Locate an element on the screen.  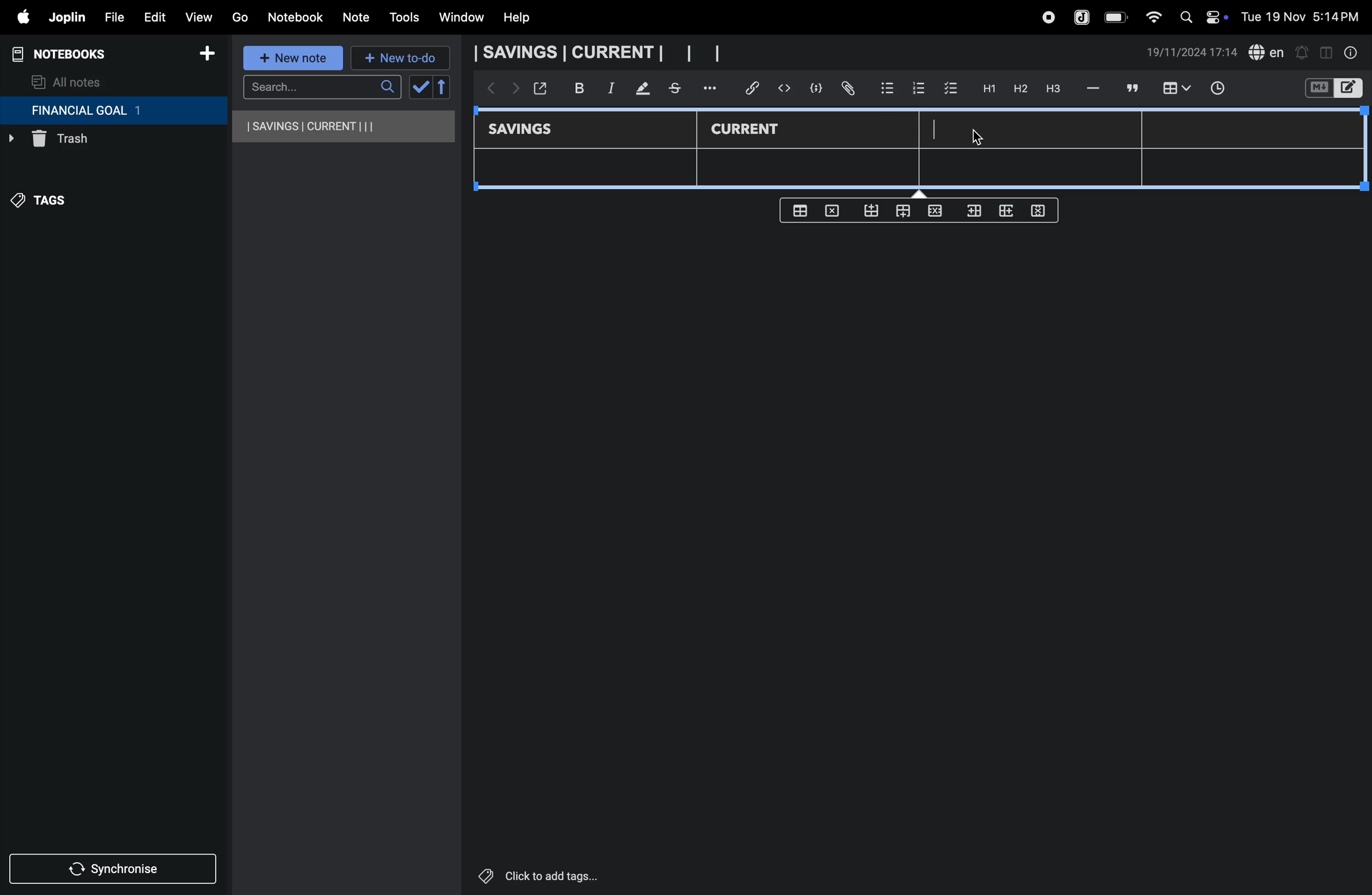
financial goal is located at coordinates (113, 111).